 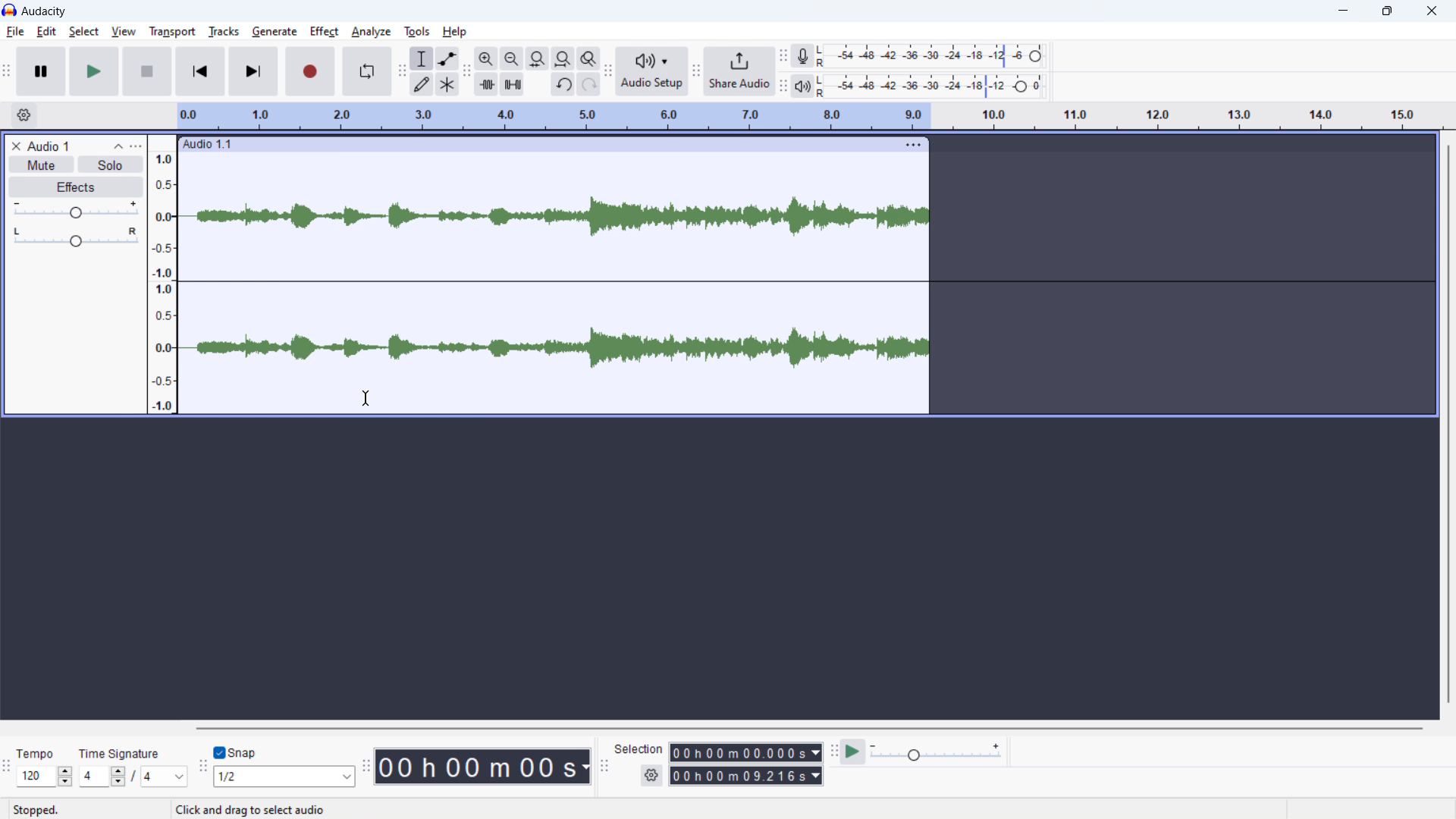 What do you see at coordinates (83, 32) in the screenshot?
I see `select` at bounding box center [83, 32].